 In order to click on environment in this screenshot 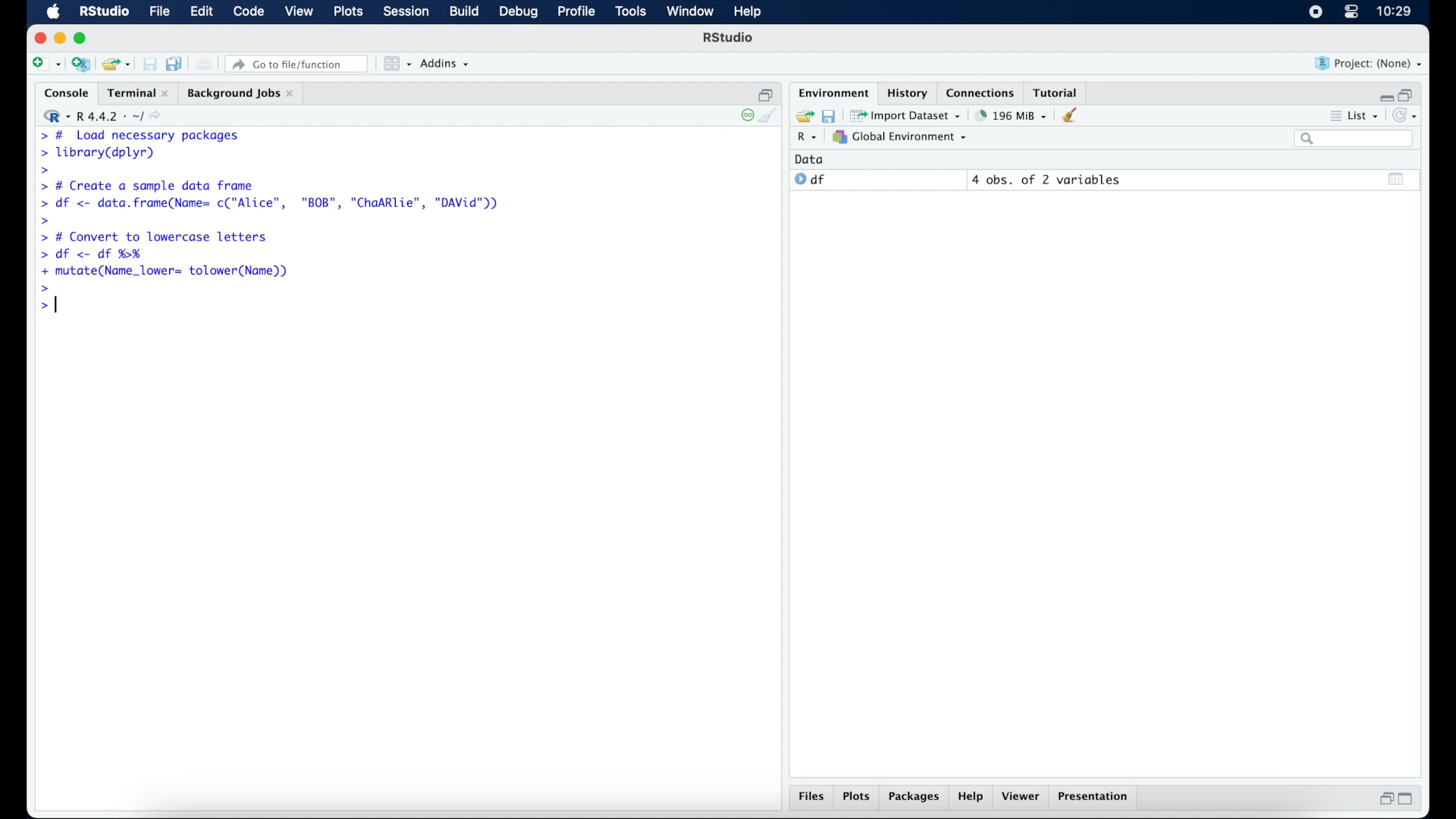, I will do `click(831, 92)`.